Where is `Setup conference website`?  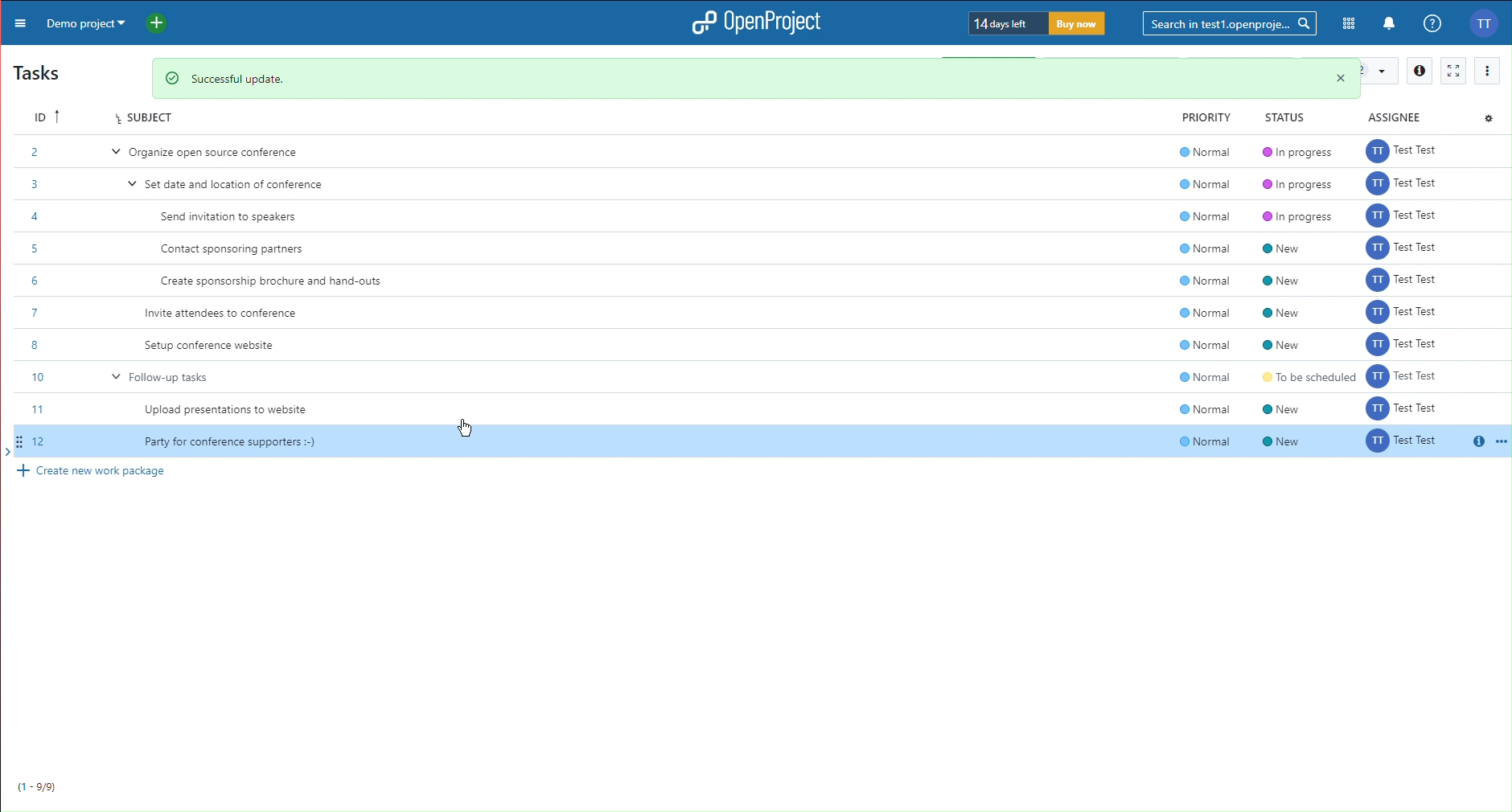
Setup conference website is located at coordinates (218, 342).